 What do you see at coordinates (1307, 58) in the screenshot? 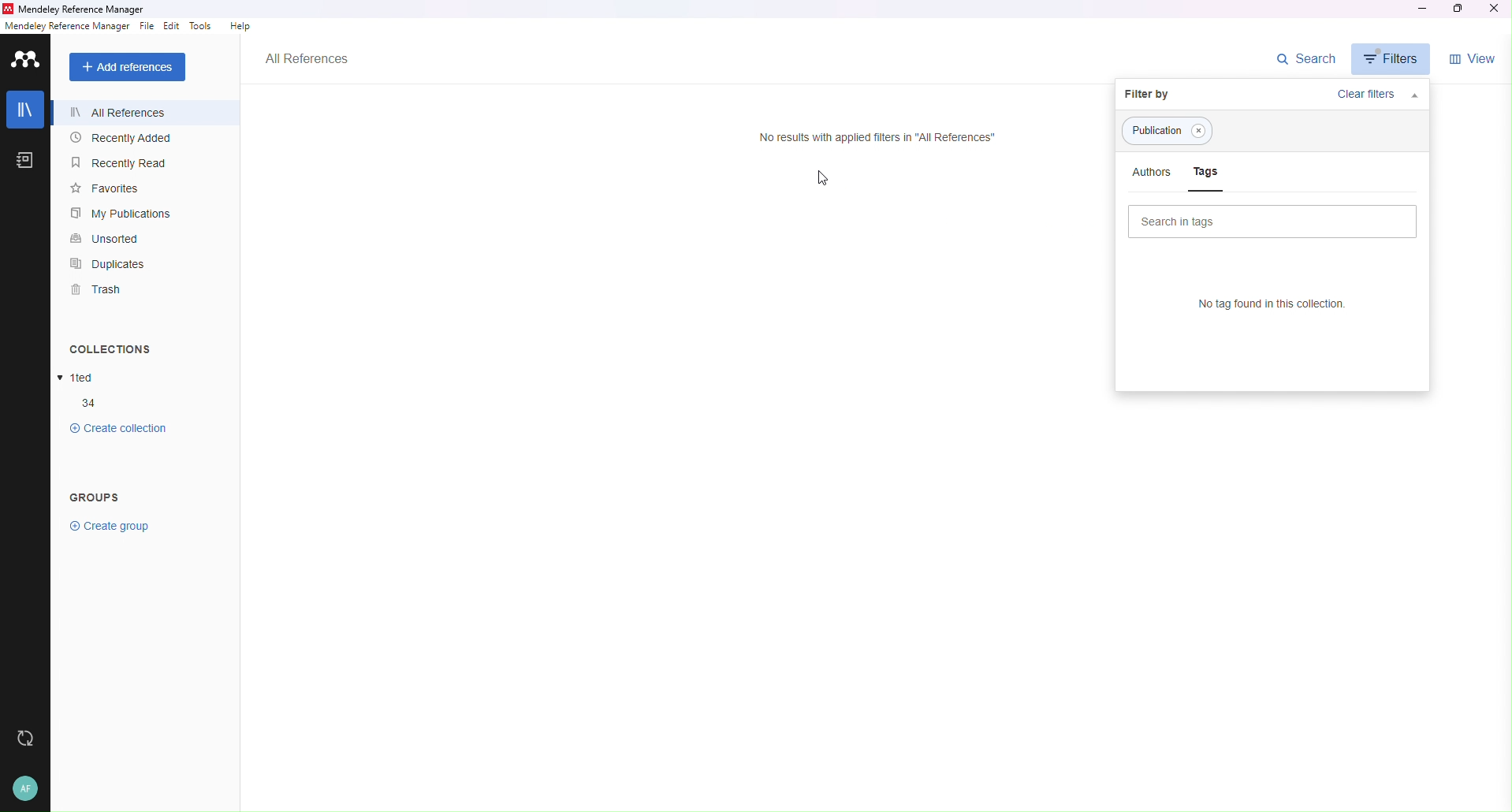
I see `Search` at bounding box center [1307, 58].